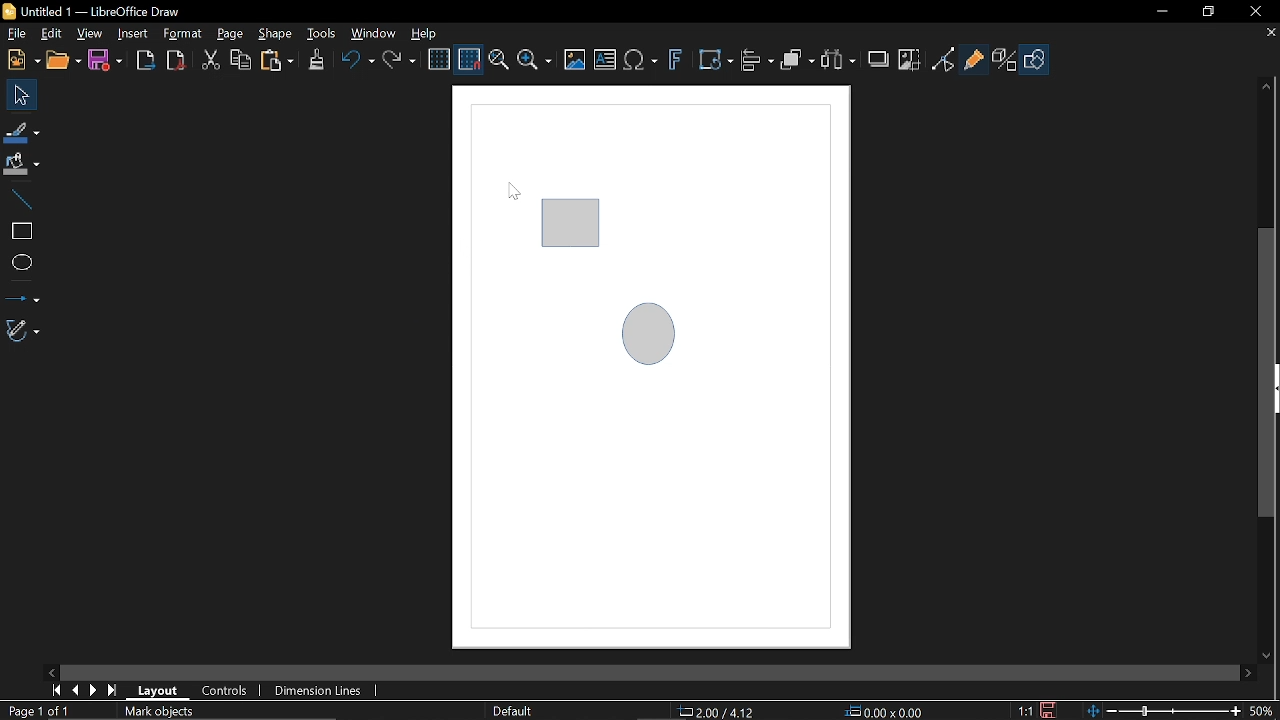  Describe the element at coordinates (17, 93) in the screenshot. I see `Select` at that location.